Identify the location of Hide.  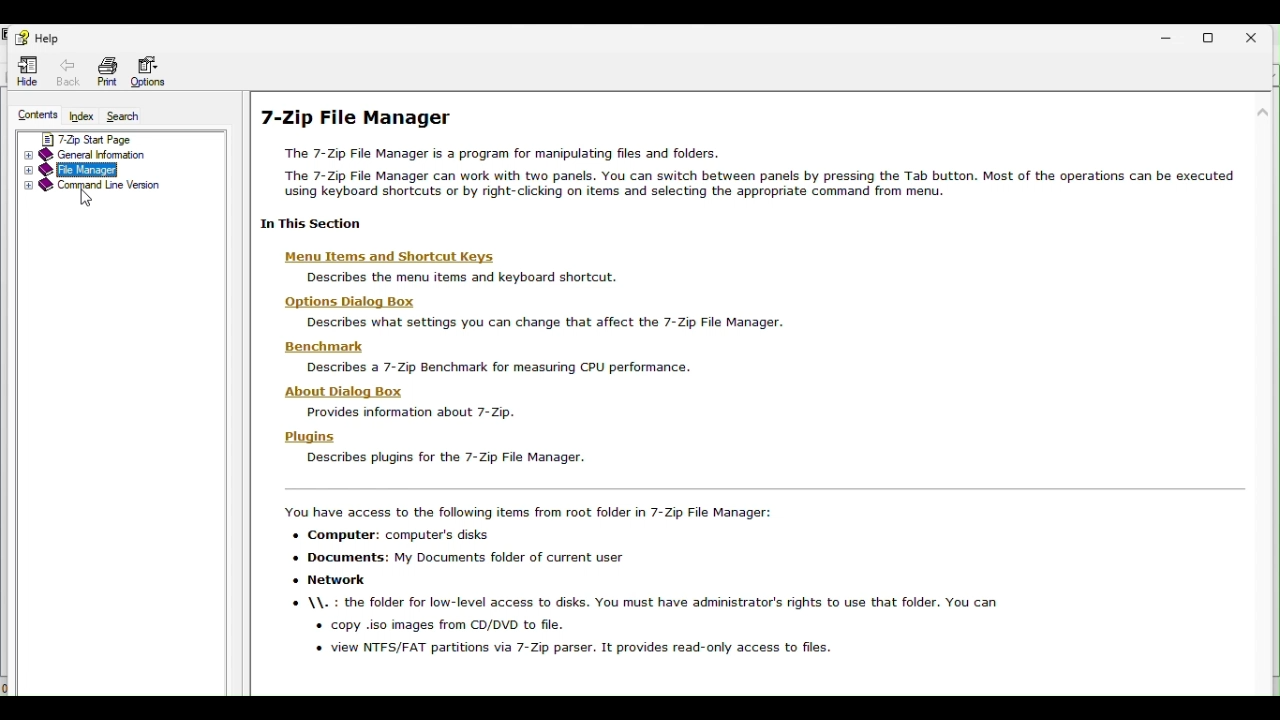
(24, 70).